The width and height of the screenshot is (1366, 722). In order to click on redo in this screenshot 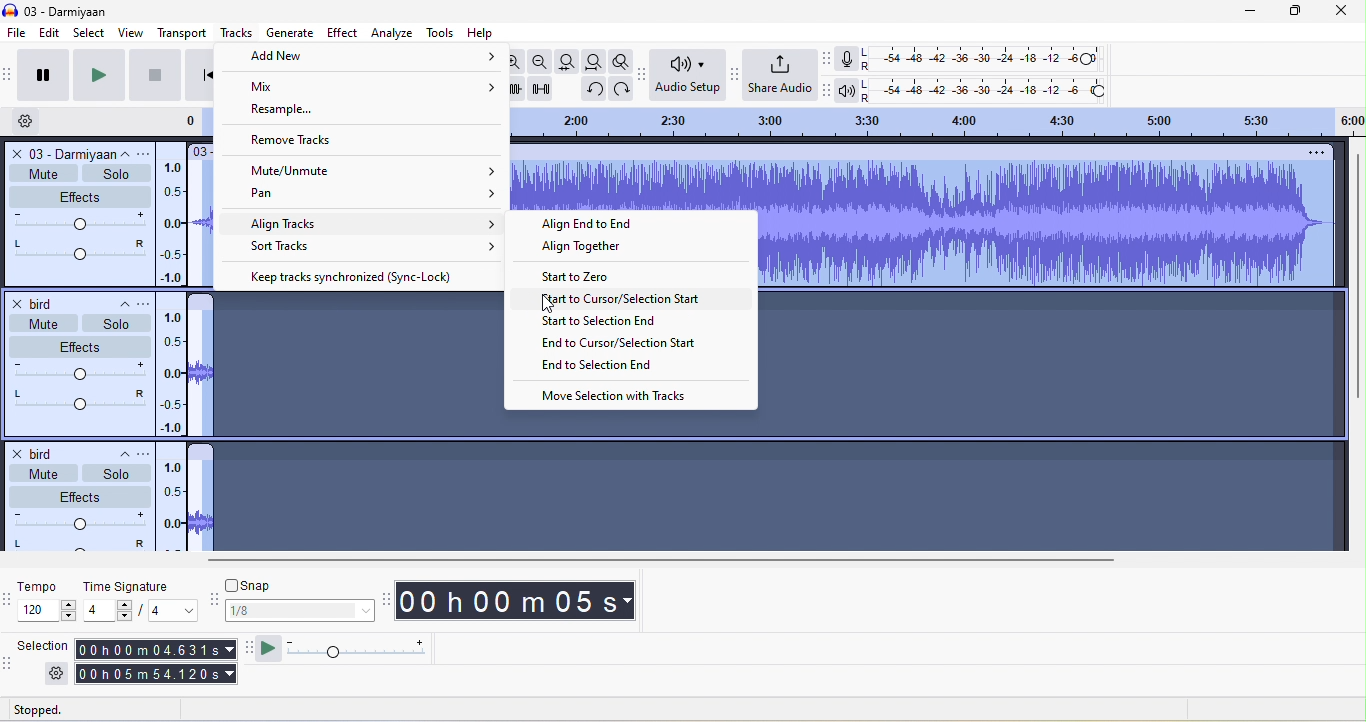, I will do `click(623, 88)`.